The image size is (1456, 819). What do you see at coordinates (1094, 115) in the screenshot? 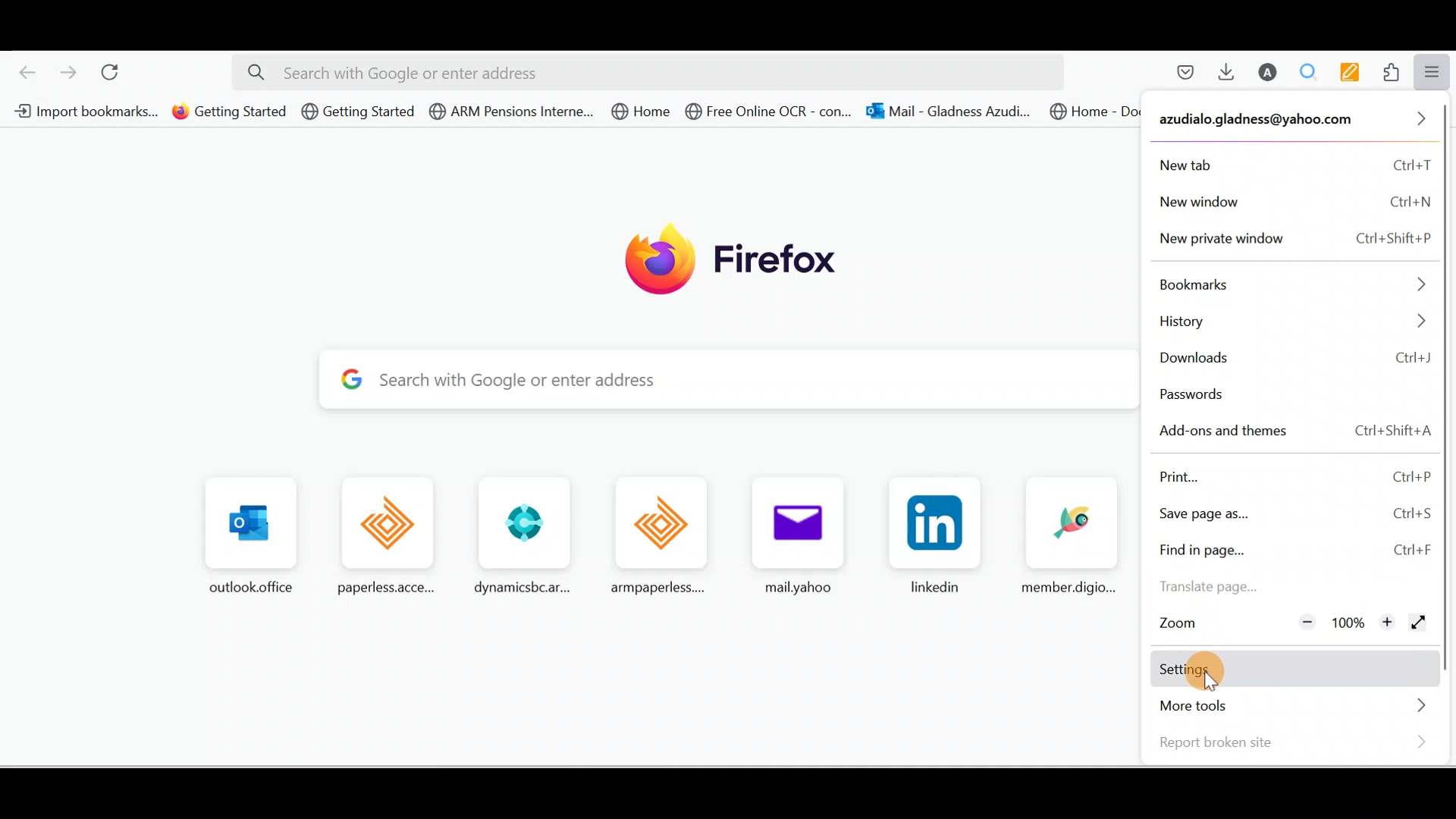
I see `Bookmark 8` at bounding box center [1094, 115].